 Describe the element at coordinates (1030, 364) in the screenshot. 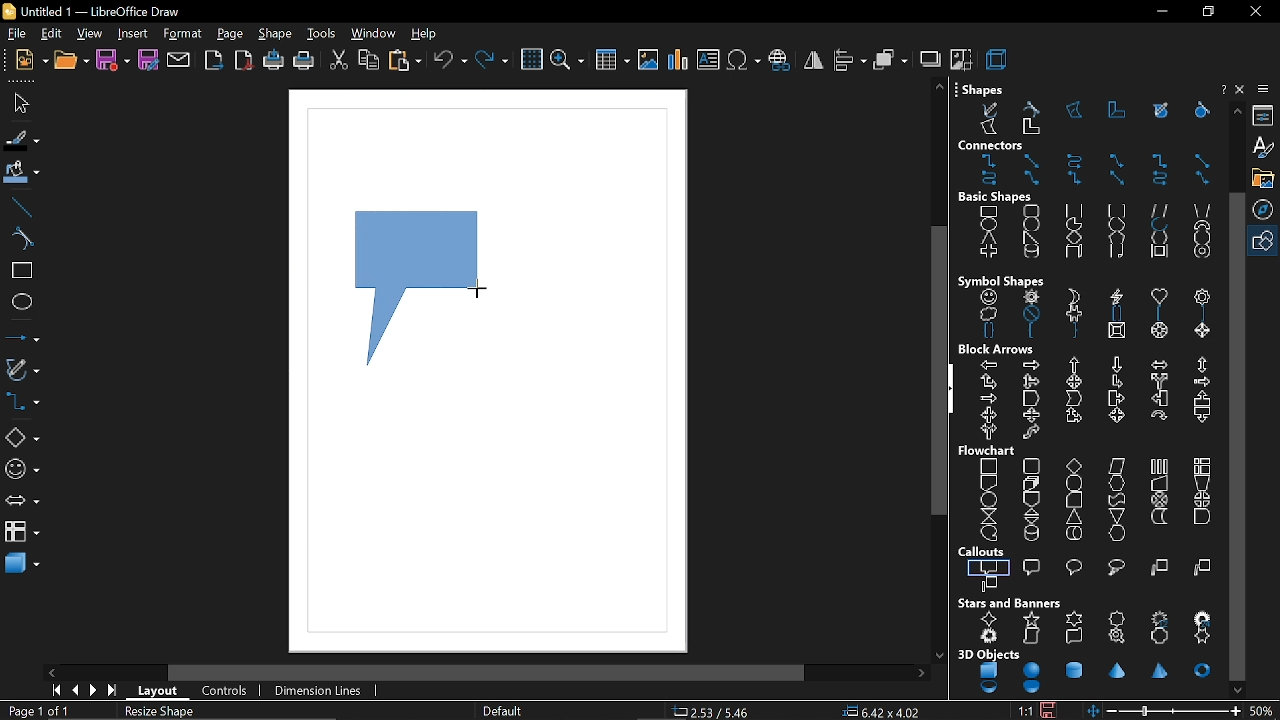

I see `right arrow` at that location.